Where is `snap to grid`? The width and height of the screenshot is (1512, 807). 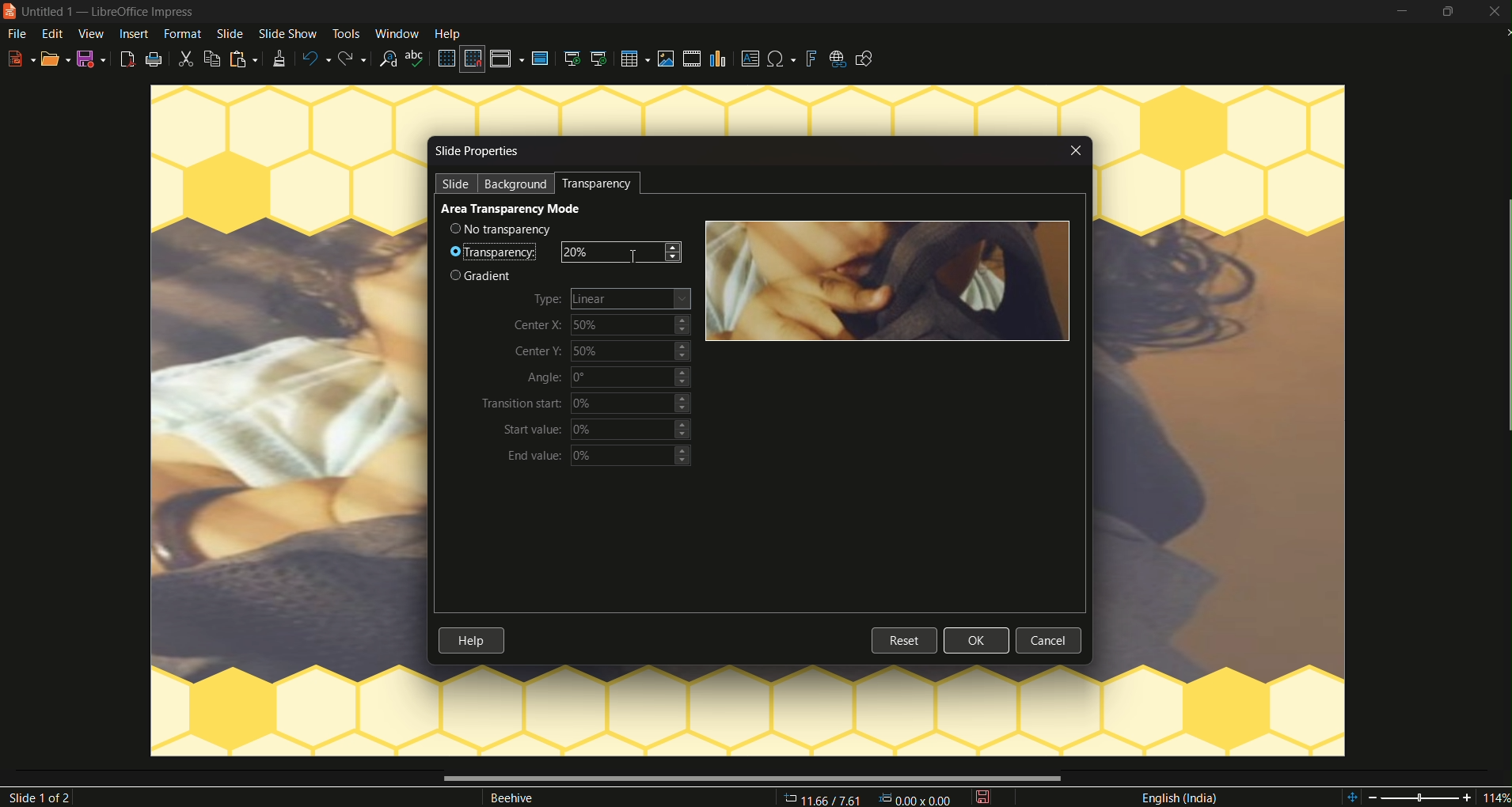 snap to grid is located at coordinates (471, 60).